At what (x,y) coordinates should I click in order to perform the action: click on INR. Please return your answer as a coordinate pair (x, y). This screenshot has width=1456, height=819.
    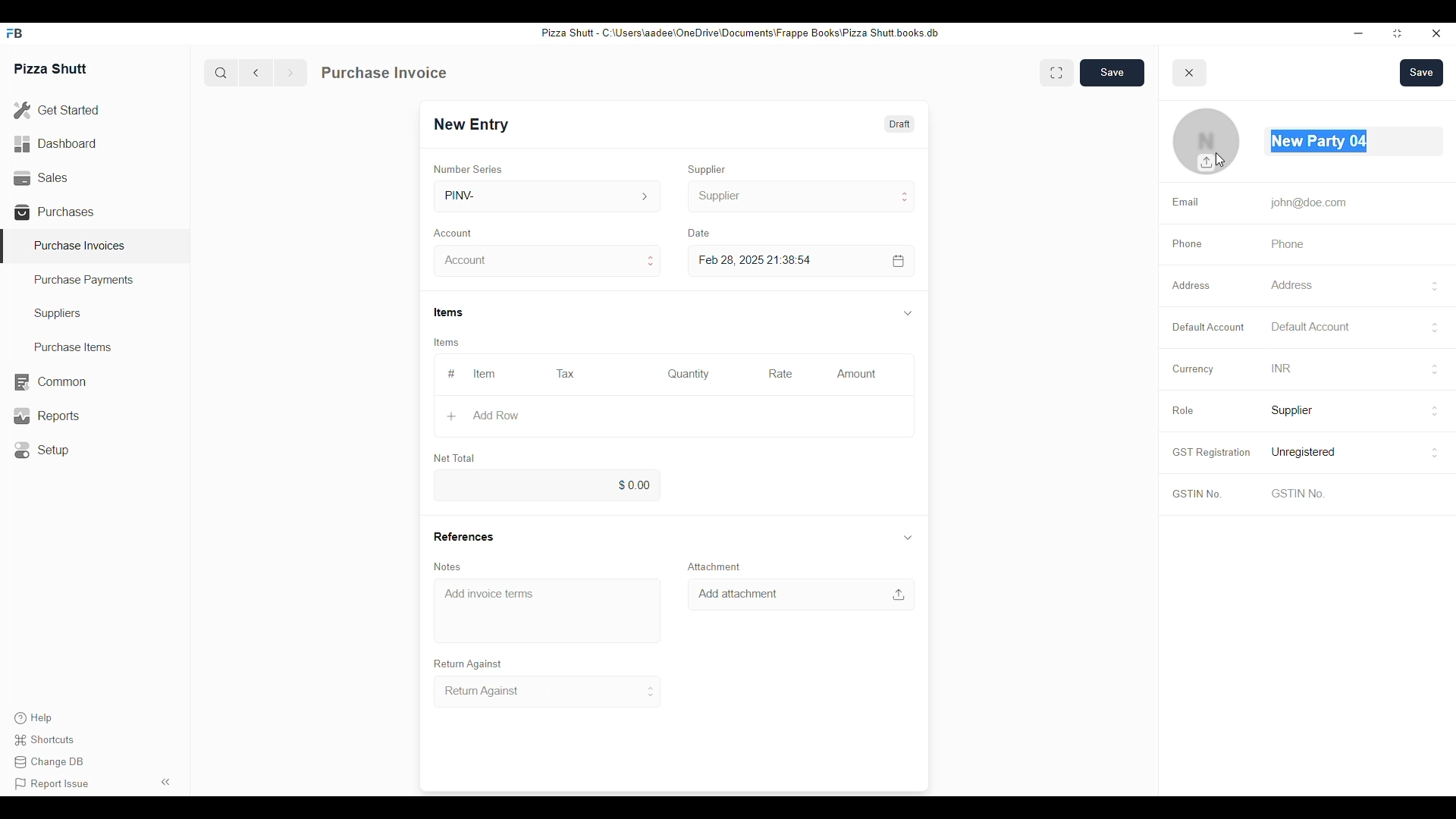
    Looking at the image, I should click on (1279, 367).